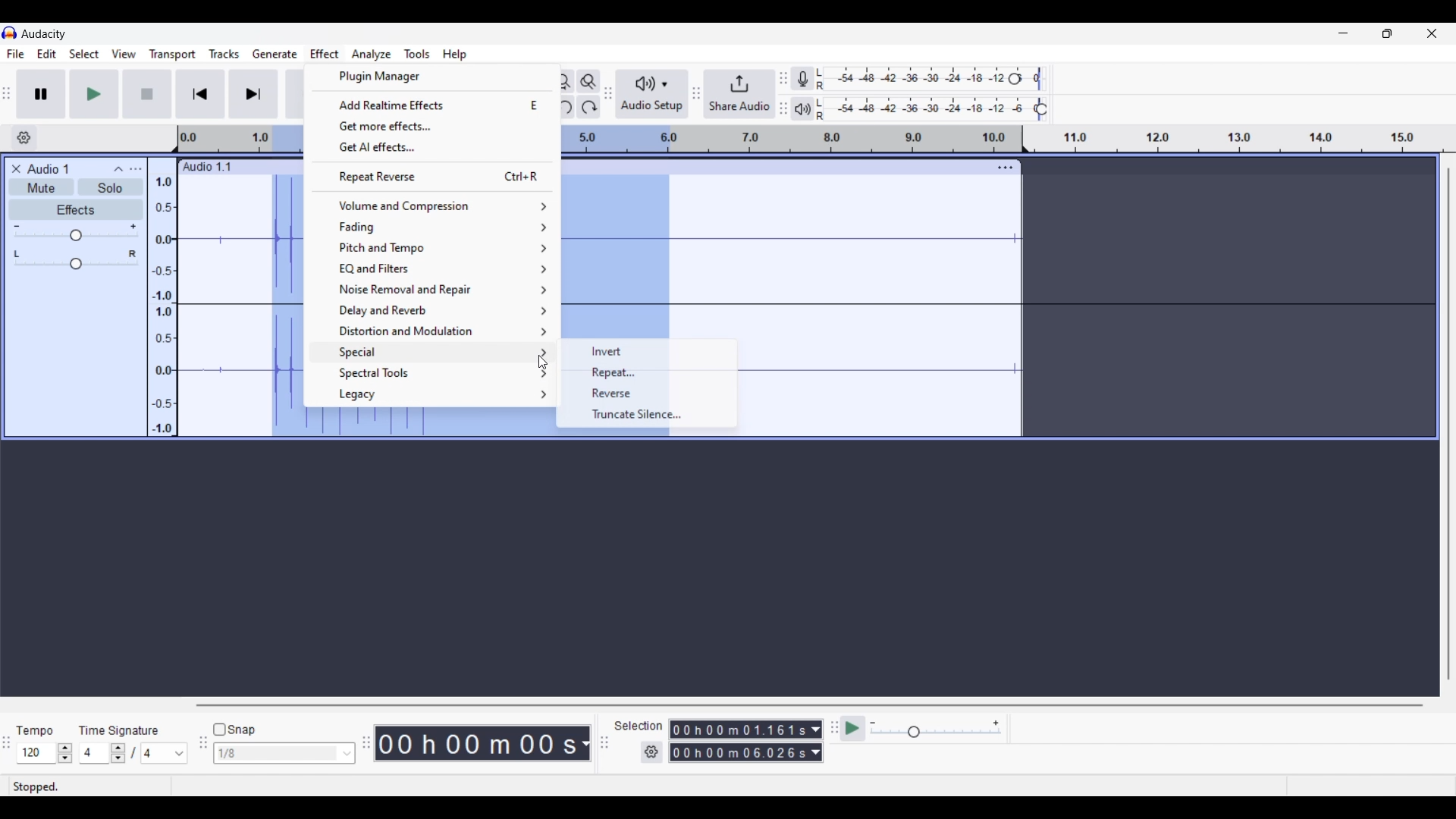 The image size is (1456, 819). What do you see at coordinates (1343, 33) in the screenshot?
I see `Minimize` at bounding box center [1343, 33].